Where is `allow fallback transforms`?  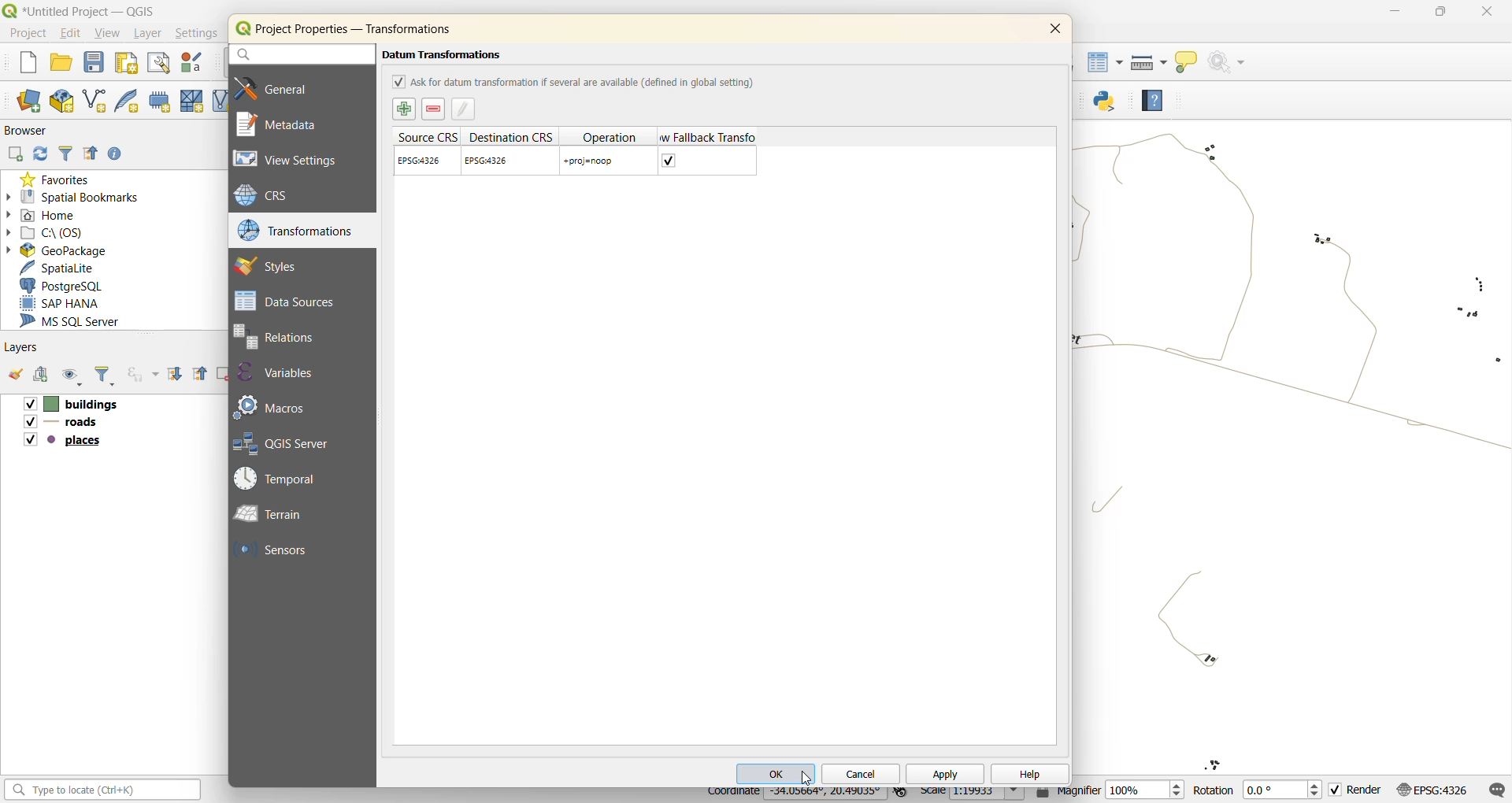
allow fallback transforms is located at coordinates (707, 136).